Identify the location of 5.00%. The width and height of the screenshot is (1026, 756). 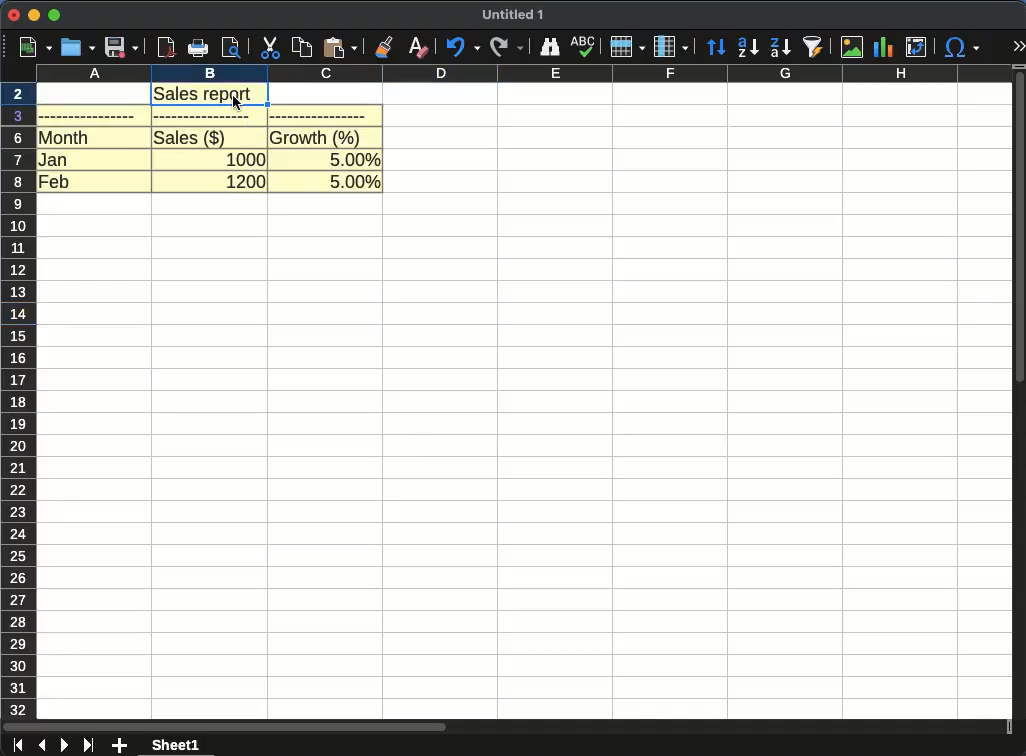
(355, 157).